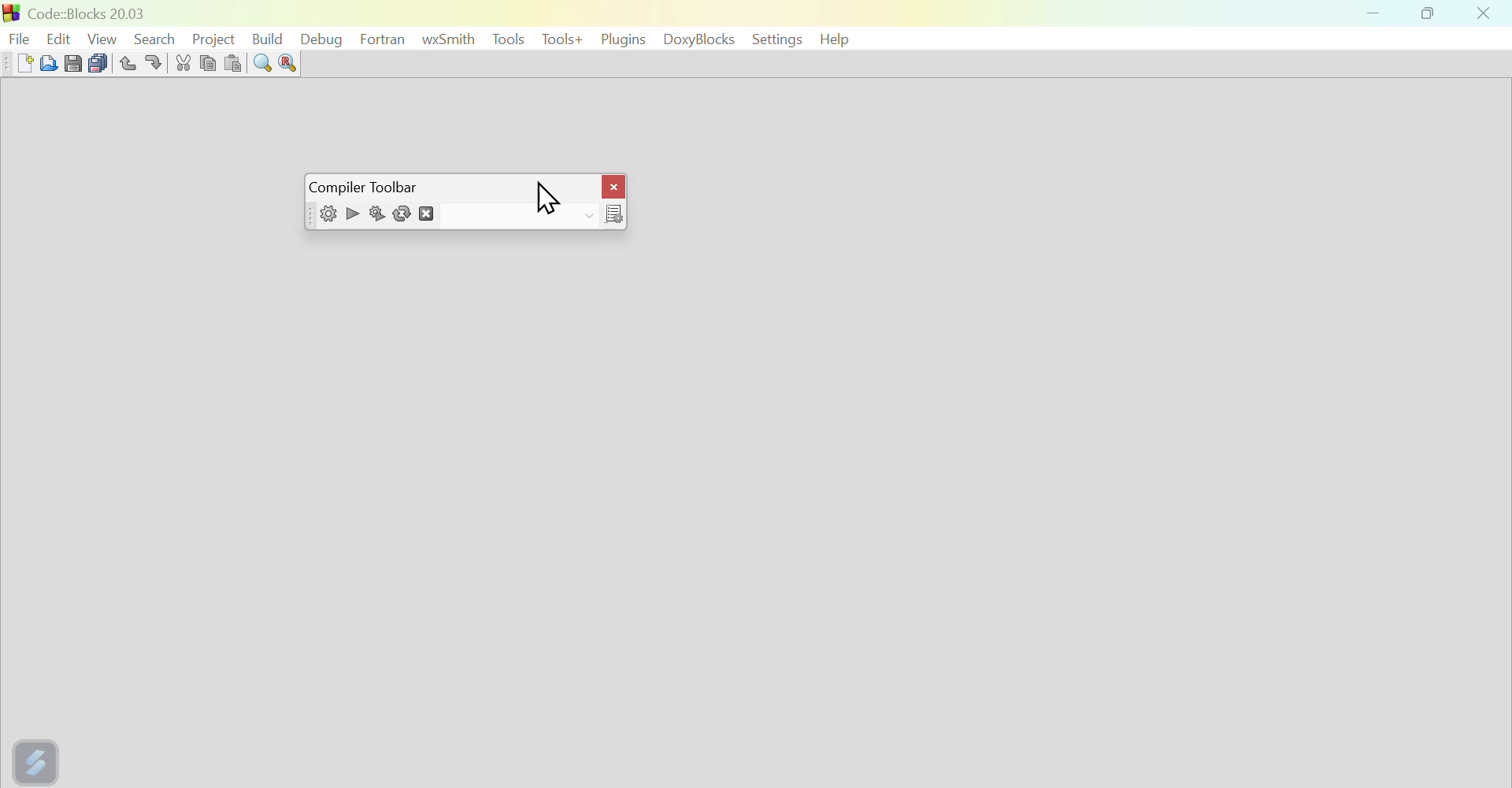 This screenshot has width=1512, height=788. Describe the element at coordinates (610, 214) in the screenshot. I see `More information` at that location.